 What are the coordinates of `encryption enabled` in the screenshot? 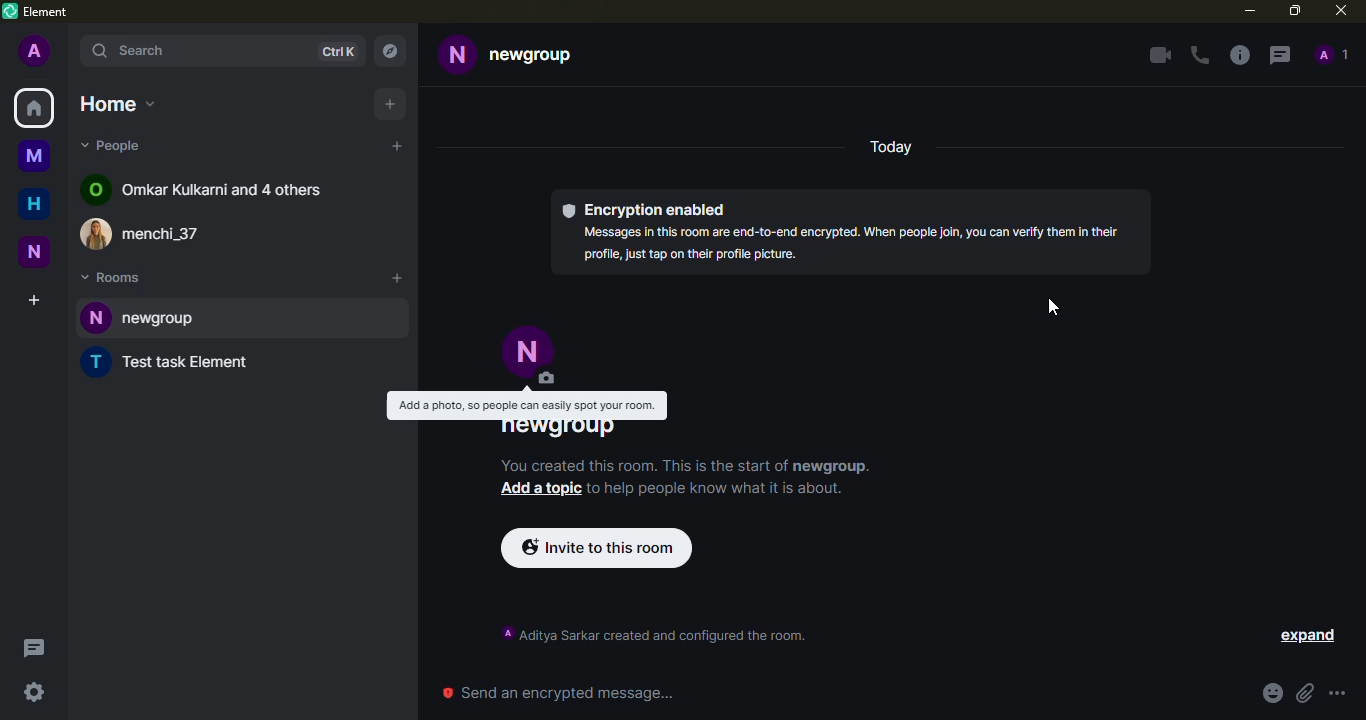 It's located at (646, 210).